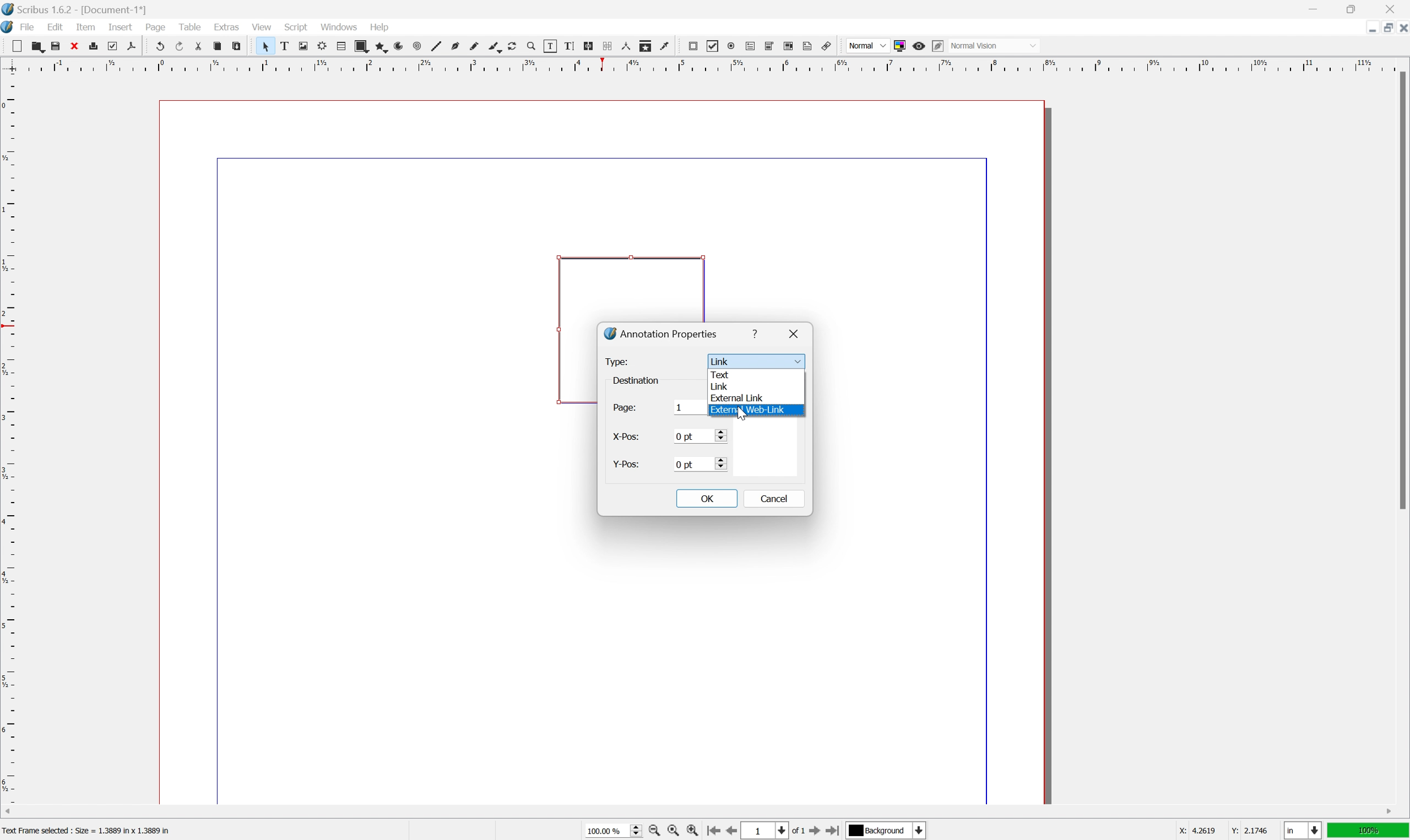 This screenshot has width=1410, height=840. I want to click on shape, so click(361, 46).